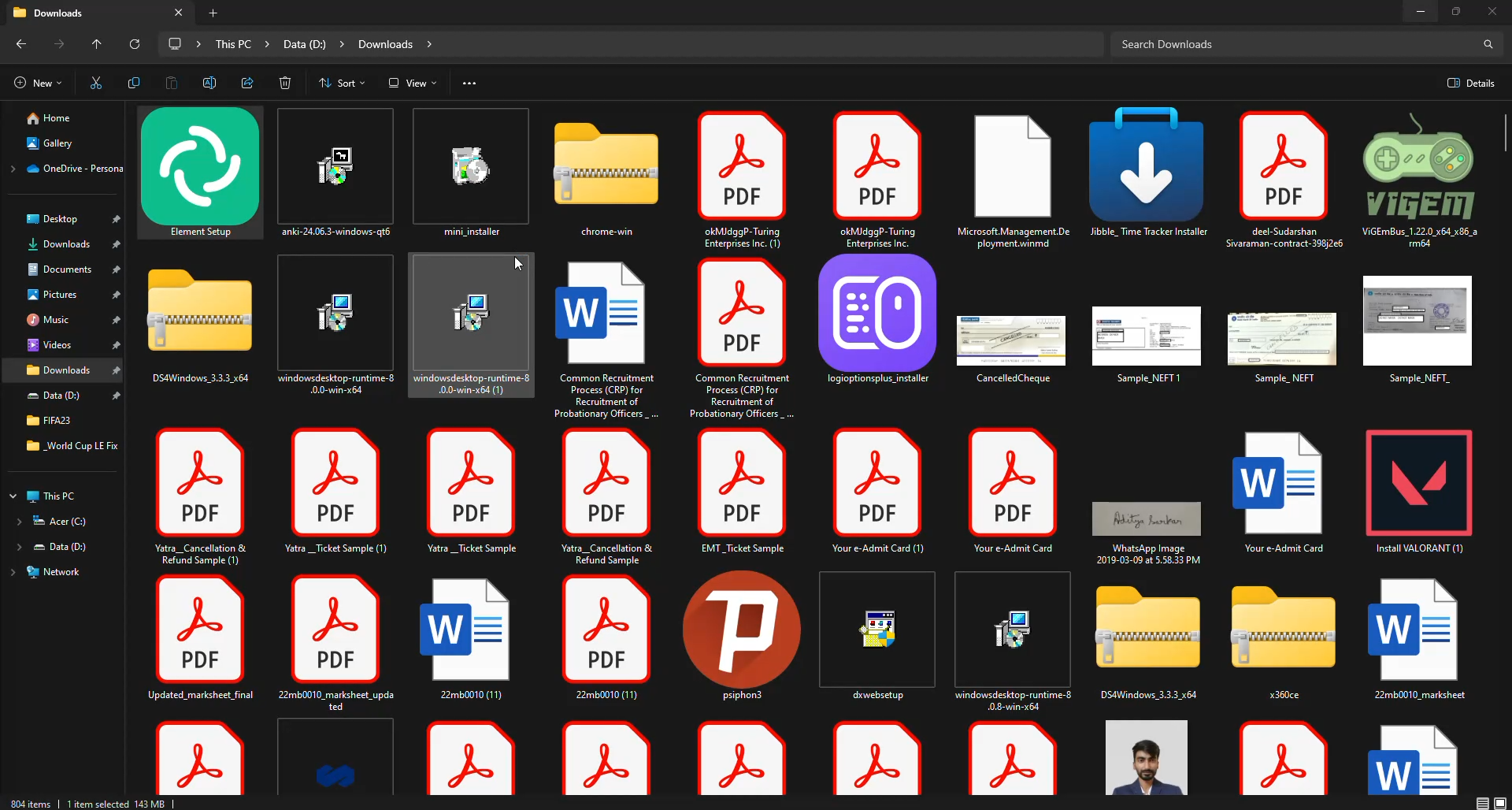 This screenshot has height=810, width=1512. I want to click on up to "desktop", so click(96, 46).